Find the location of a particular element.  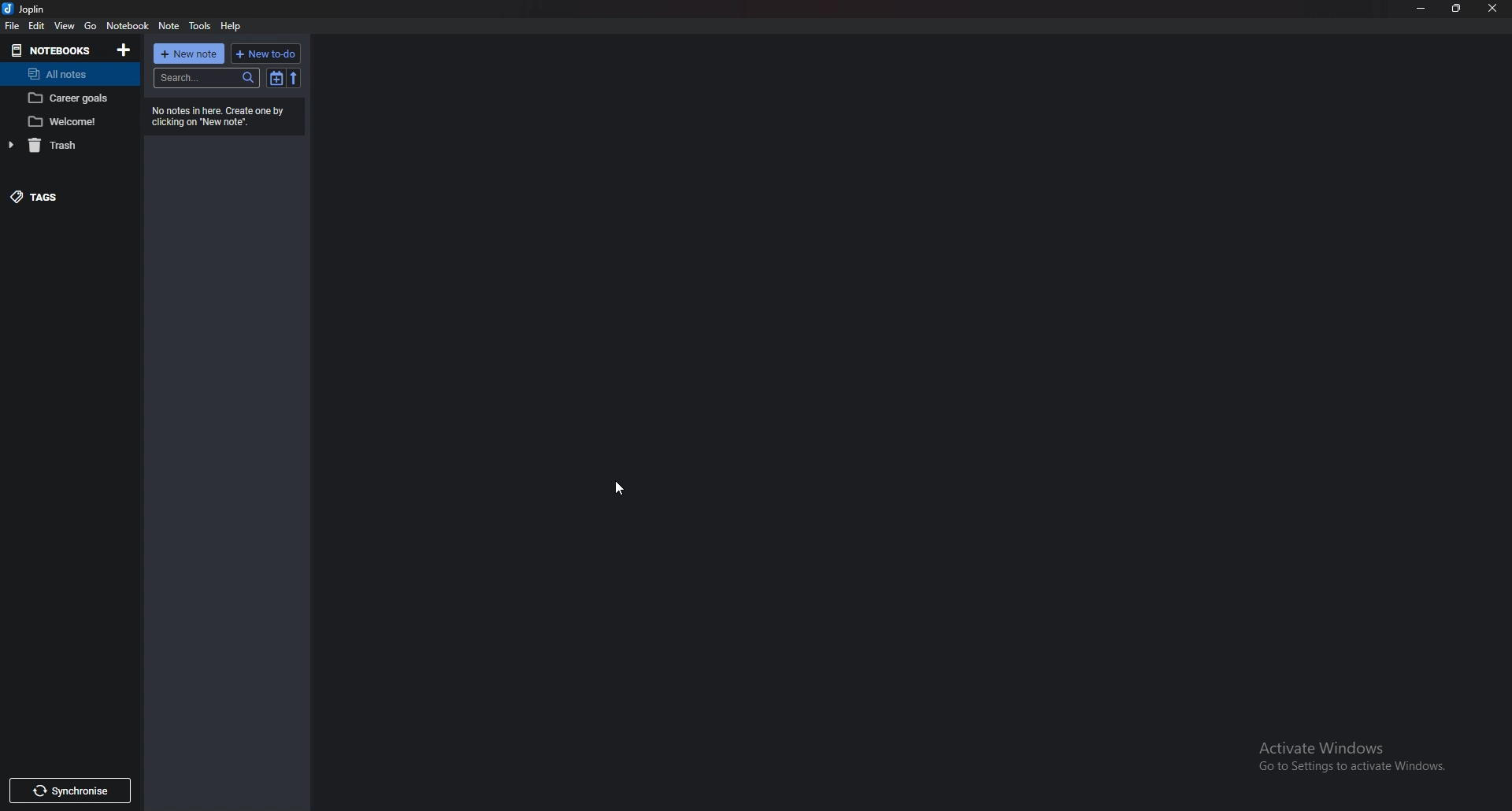

toggle sort order is located at coordinates (275, 78).